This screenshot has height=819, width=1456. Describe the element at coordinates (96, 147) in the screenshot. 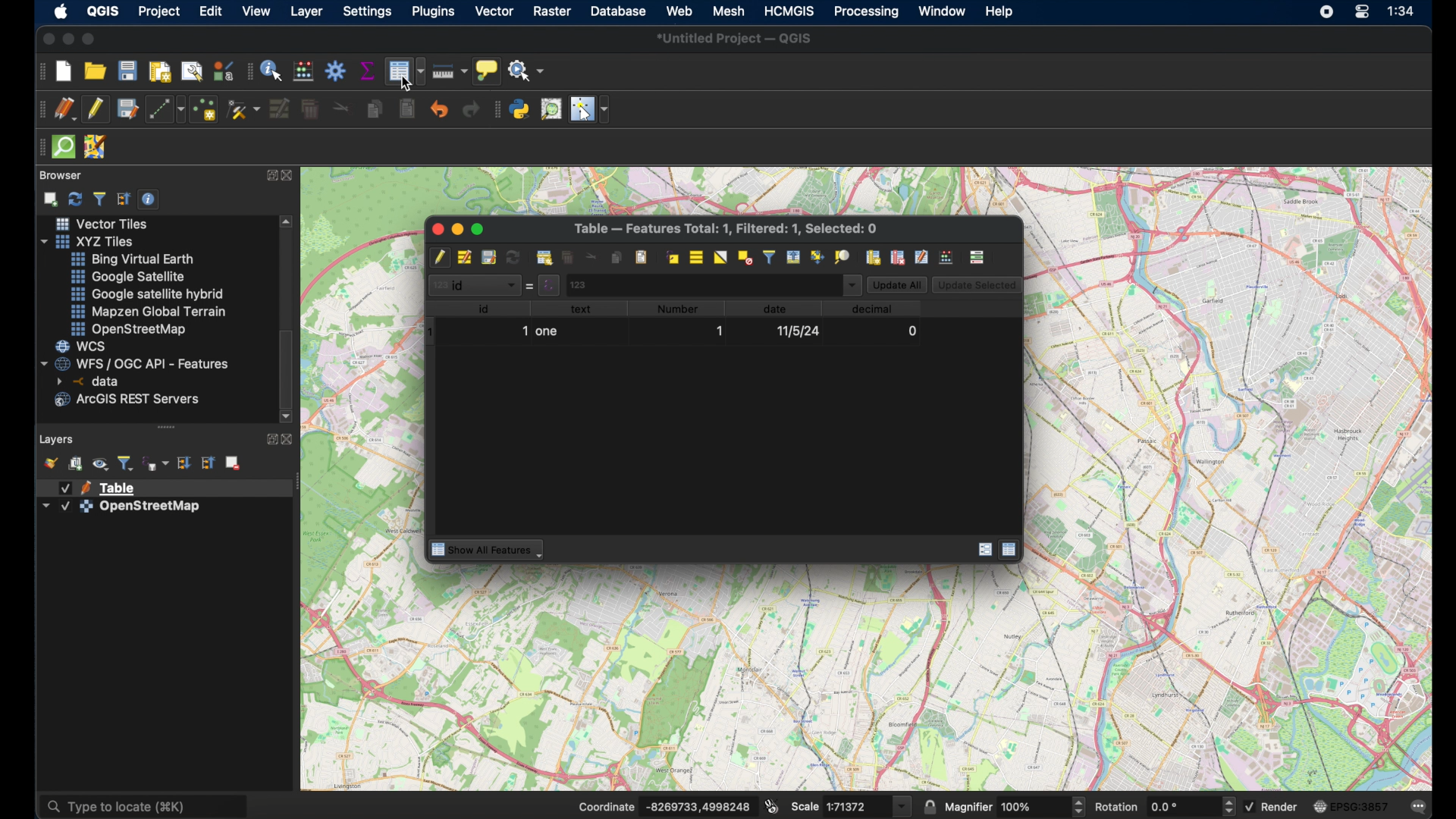

I see `josh remote` at that location.